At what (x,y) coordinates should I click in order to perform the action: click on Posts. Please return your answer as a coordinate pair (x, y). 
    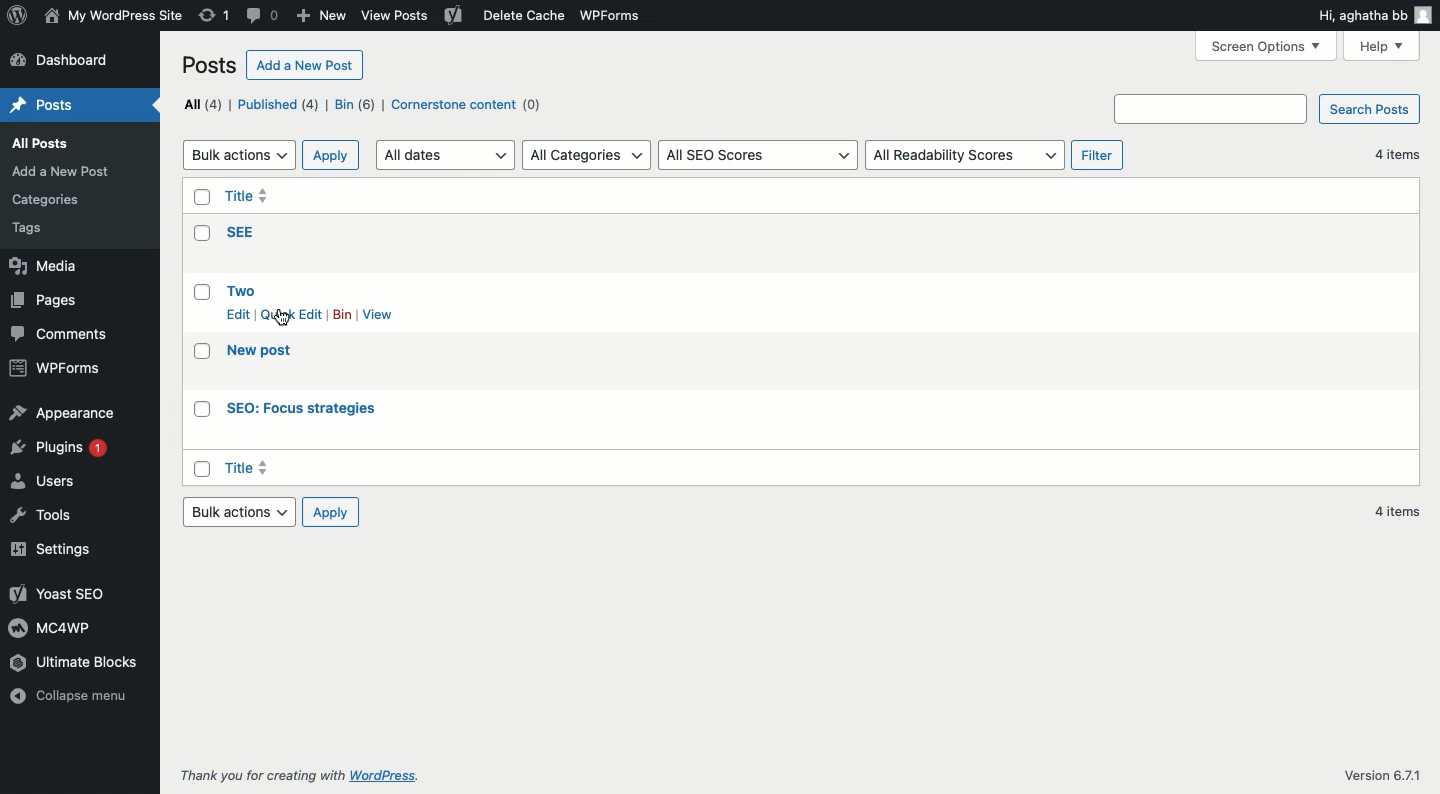
    Looking at the image, I should click on (211, 64).